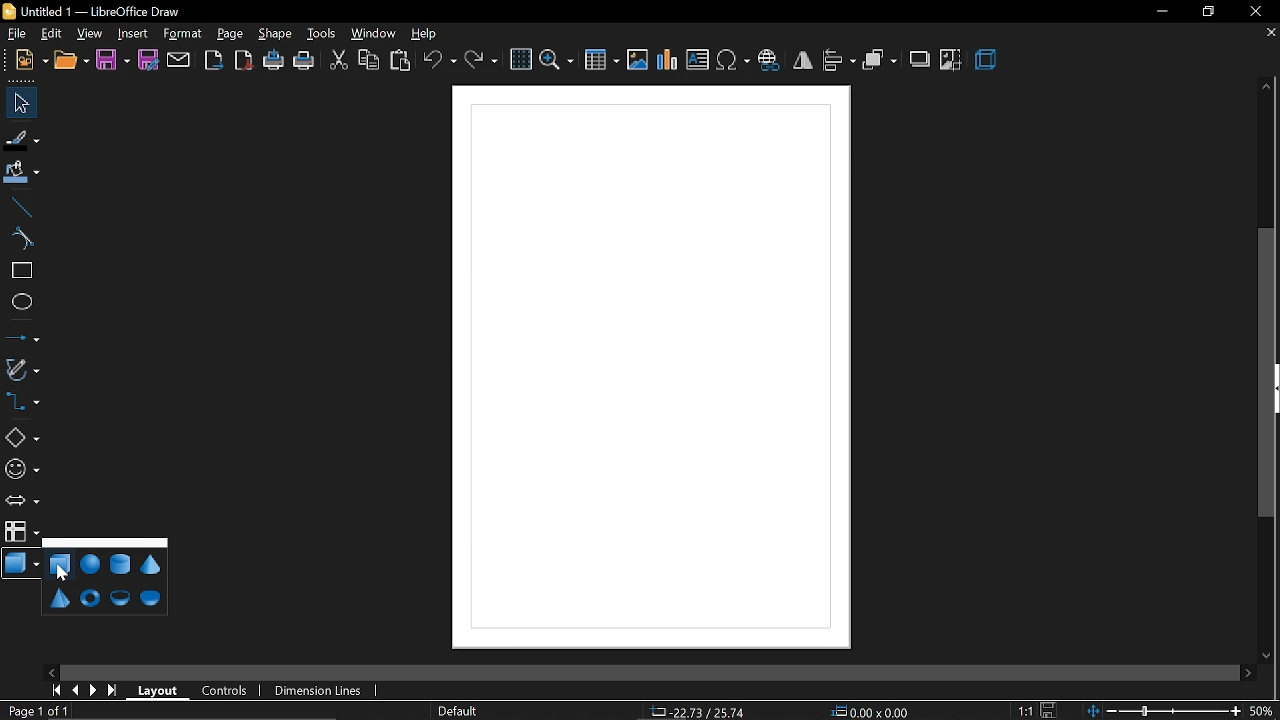 This screenshot has width=1280, height=720. I want to click on save, so click(114, 61).